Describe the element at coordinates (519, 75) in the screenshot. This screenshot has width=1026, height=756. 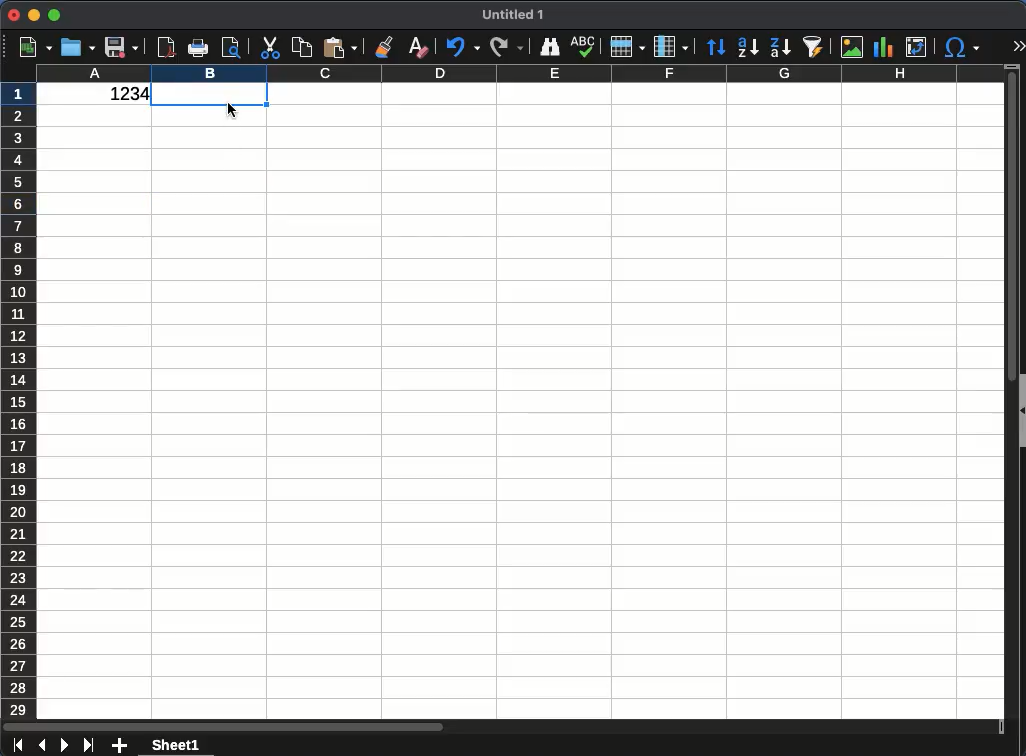
I see `columns` at that location.